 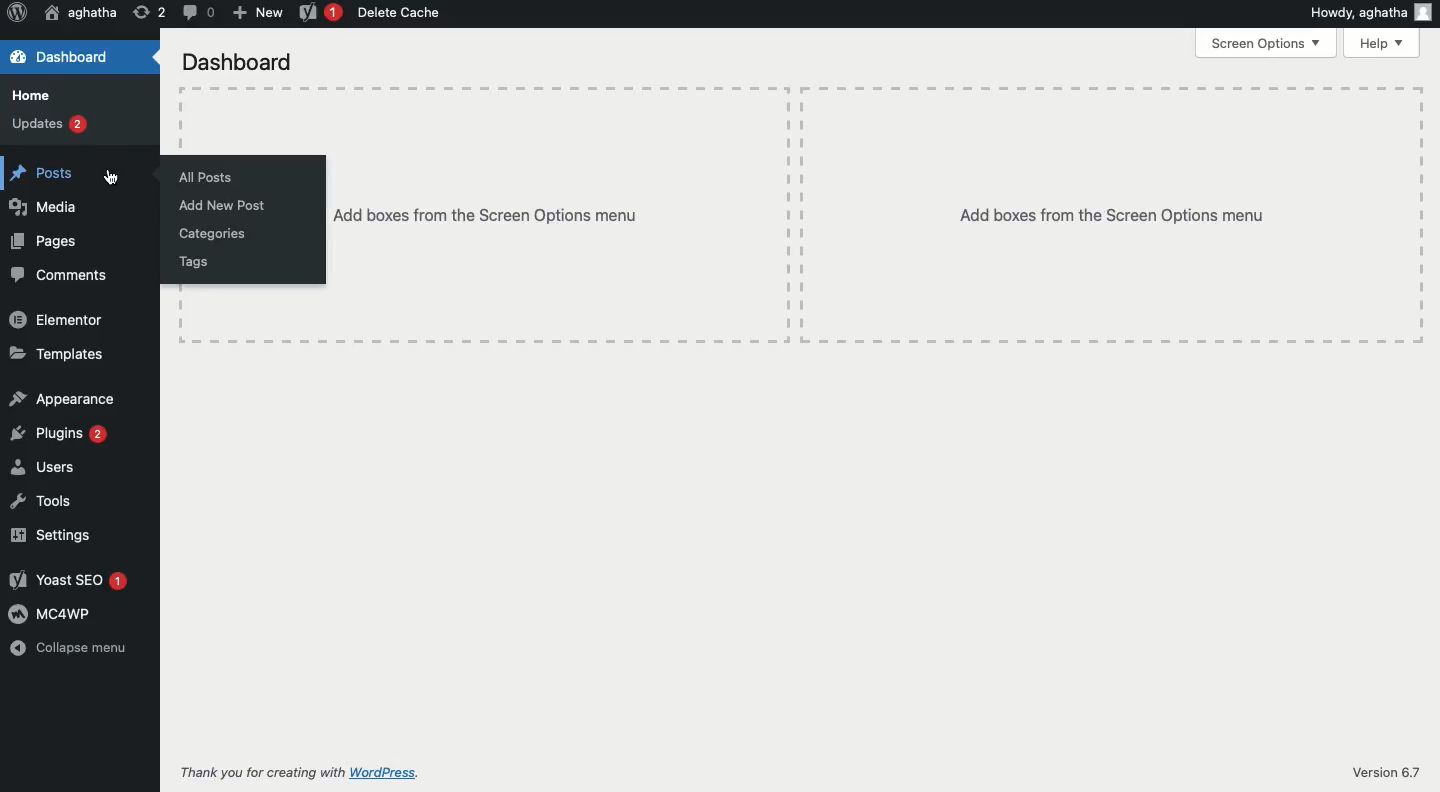 I want to click on Plugins, so click(x=62, y=434).